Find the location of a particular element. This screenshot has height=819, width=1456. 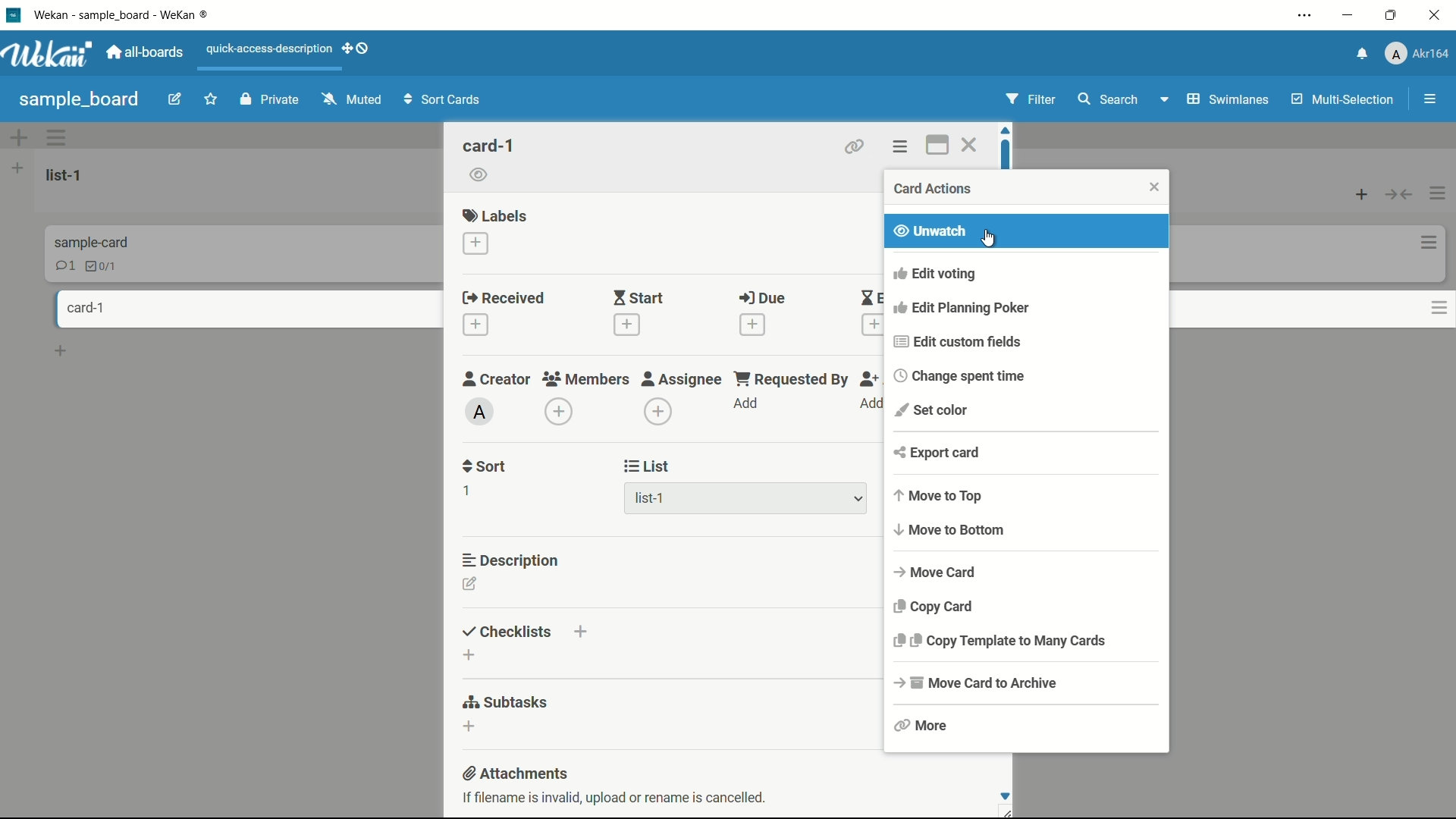

card-1 is located at coordinates (83, 308).